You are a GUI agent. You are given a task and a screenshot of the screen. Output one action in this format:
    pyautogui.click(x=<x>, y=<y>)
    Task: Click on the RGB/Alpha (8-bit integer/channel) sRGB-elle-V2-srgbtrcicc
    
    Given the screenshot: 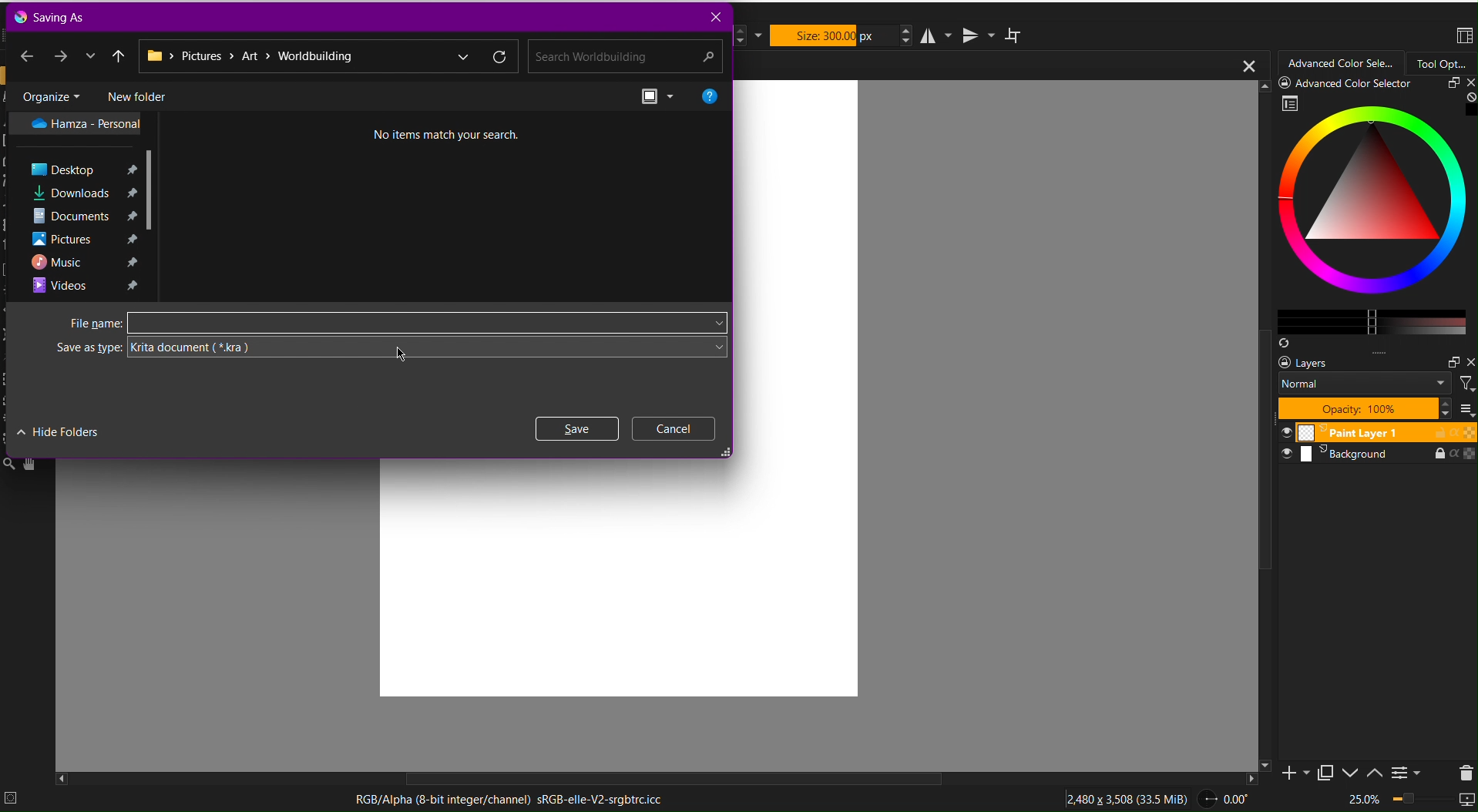 What is the action you would take?
    pyautogui.click(x=516, y=798)
    